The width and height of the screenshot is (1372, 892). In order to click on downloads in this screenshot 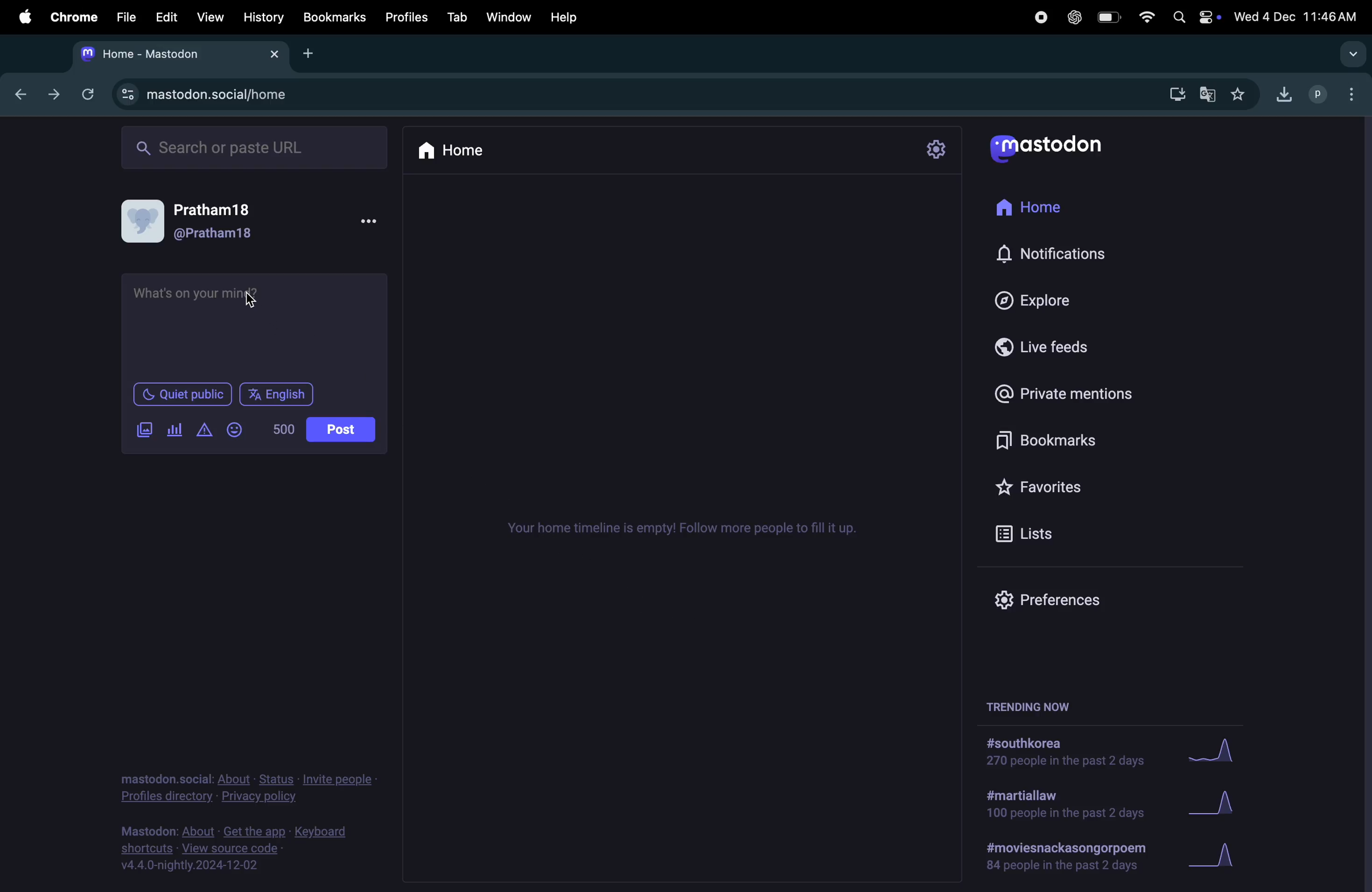, I will do `click(1285, 94)`.